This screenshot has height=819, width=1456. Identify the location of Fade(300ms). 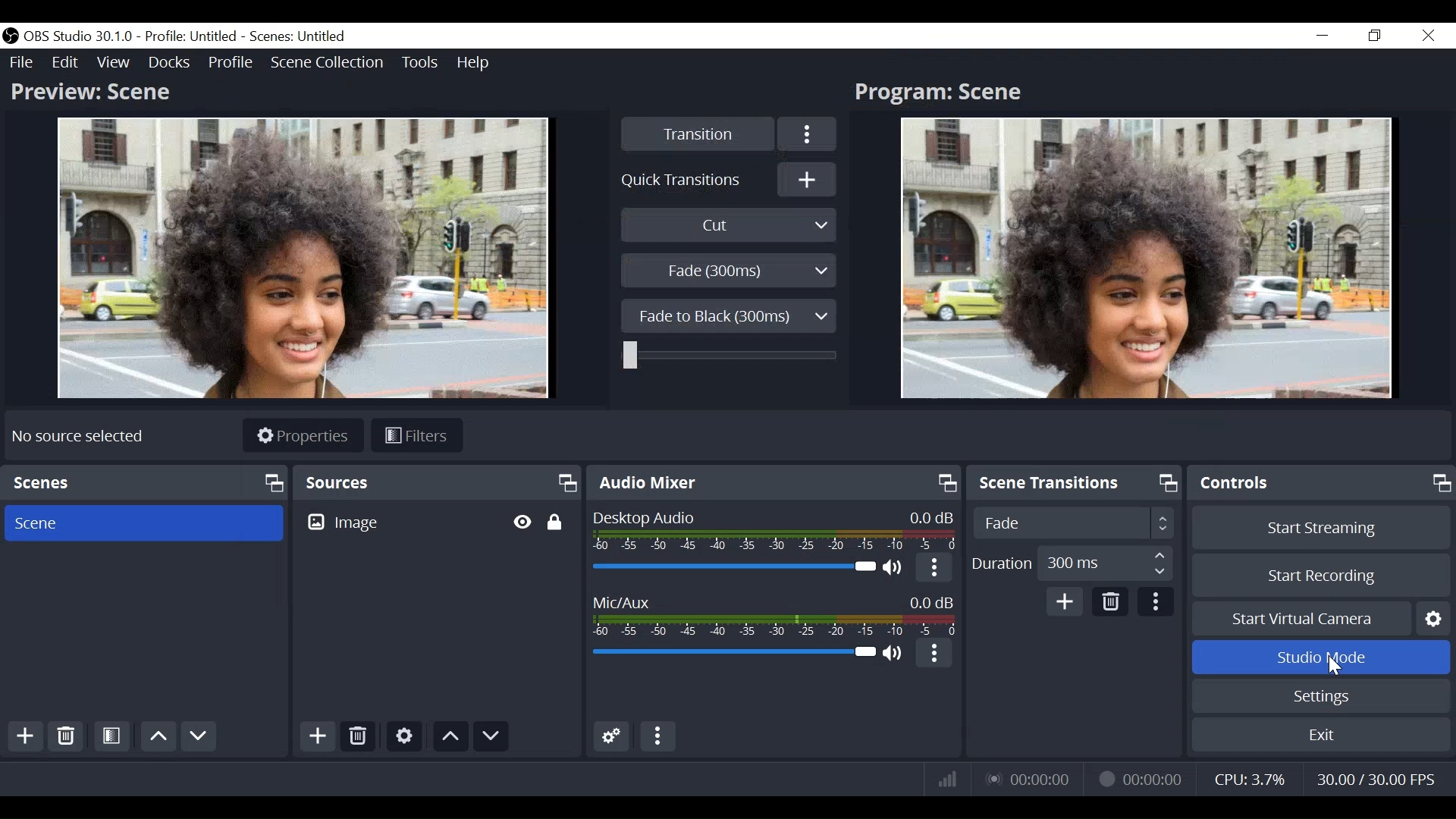
(727, 269).